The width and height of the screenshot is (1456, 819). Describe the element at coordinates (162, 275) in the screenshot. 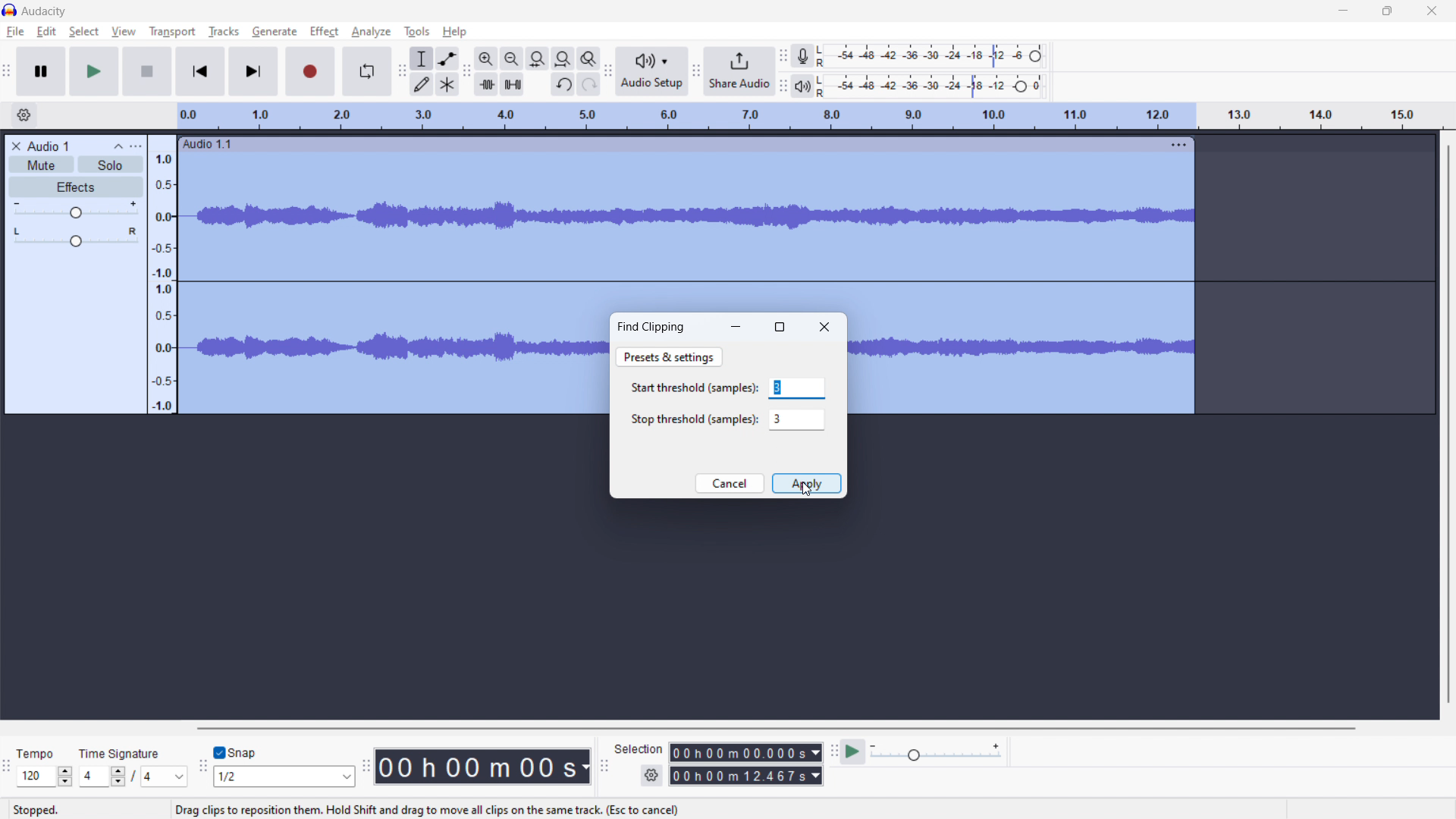

I see `amplitude` at that location.